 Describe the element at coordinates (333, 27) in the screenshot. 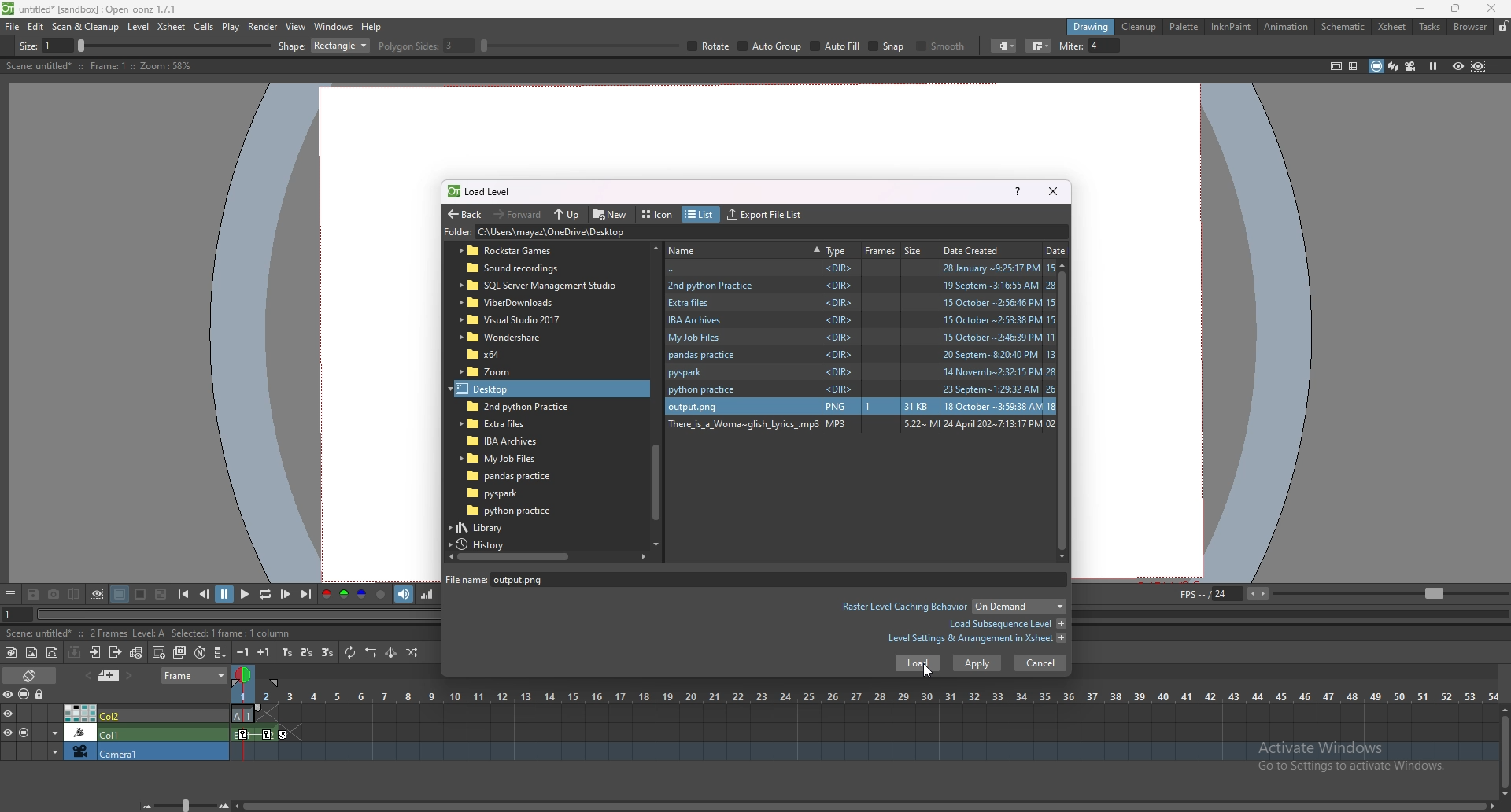

I see `windows` at that location.